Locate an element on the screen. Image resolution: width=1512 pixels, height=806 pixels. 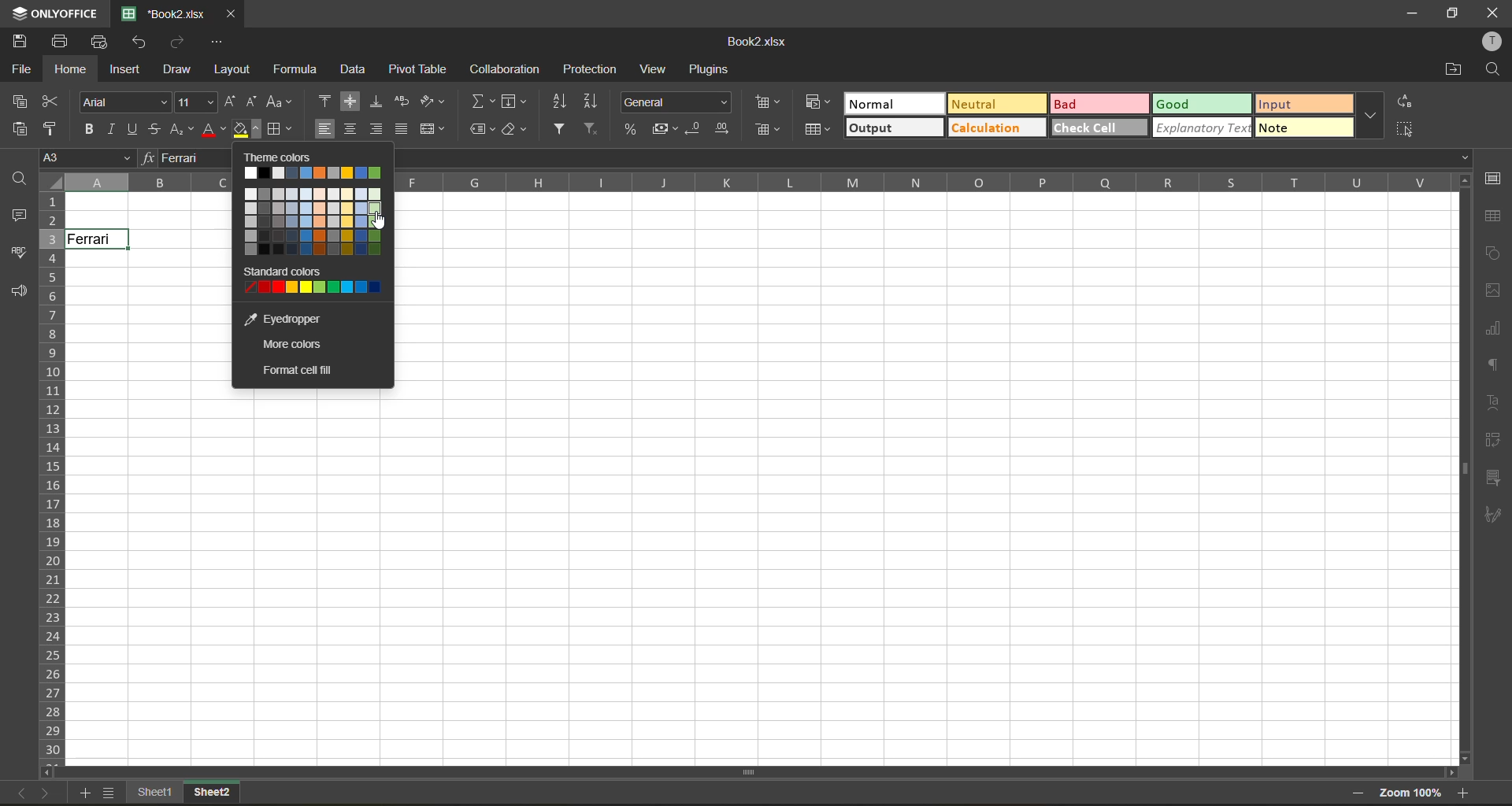
font color is located at coordinates (213, 129).